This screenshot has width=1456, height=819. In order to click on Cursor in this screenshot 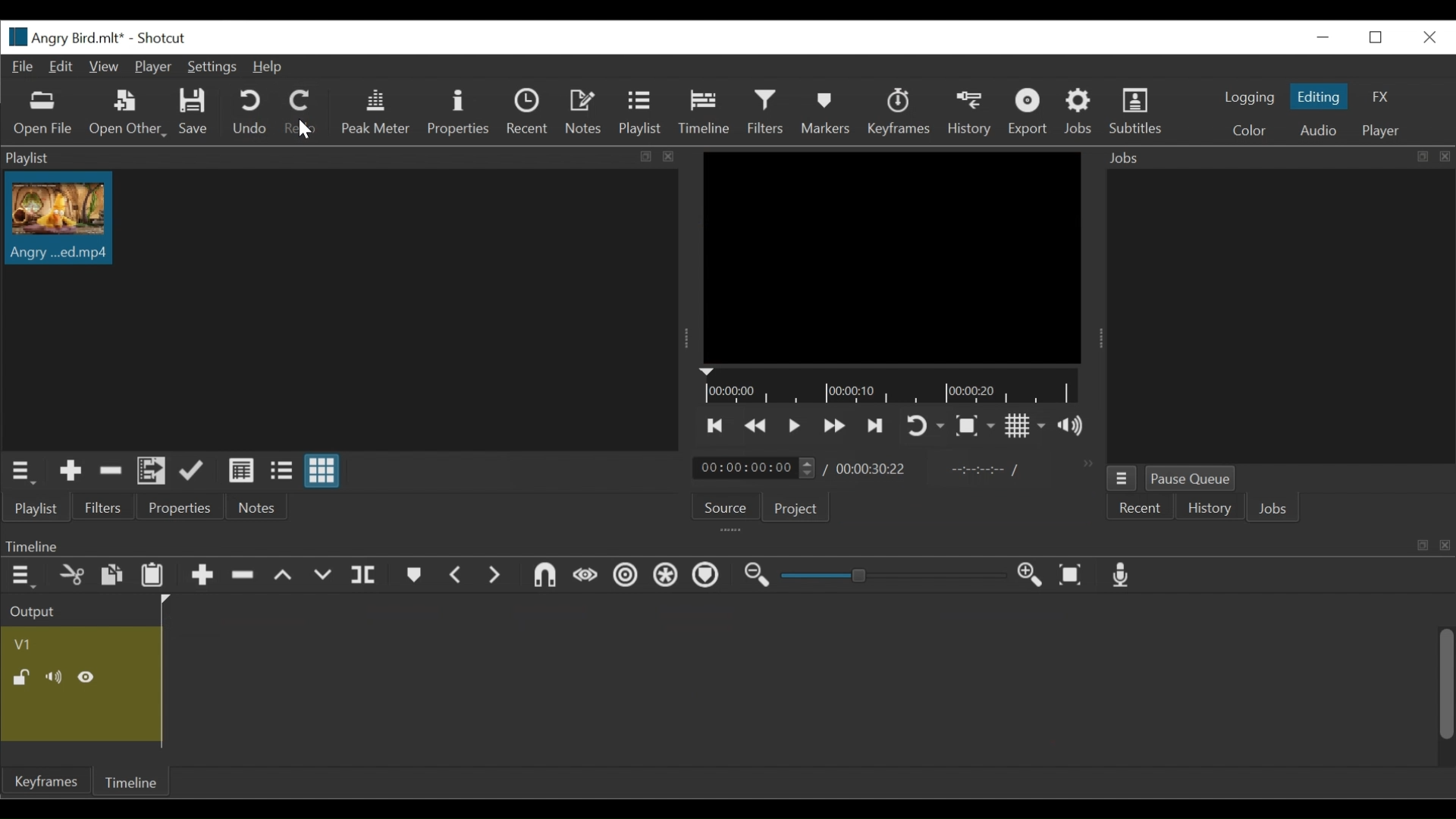, I will do `click(299, 130)`.